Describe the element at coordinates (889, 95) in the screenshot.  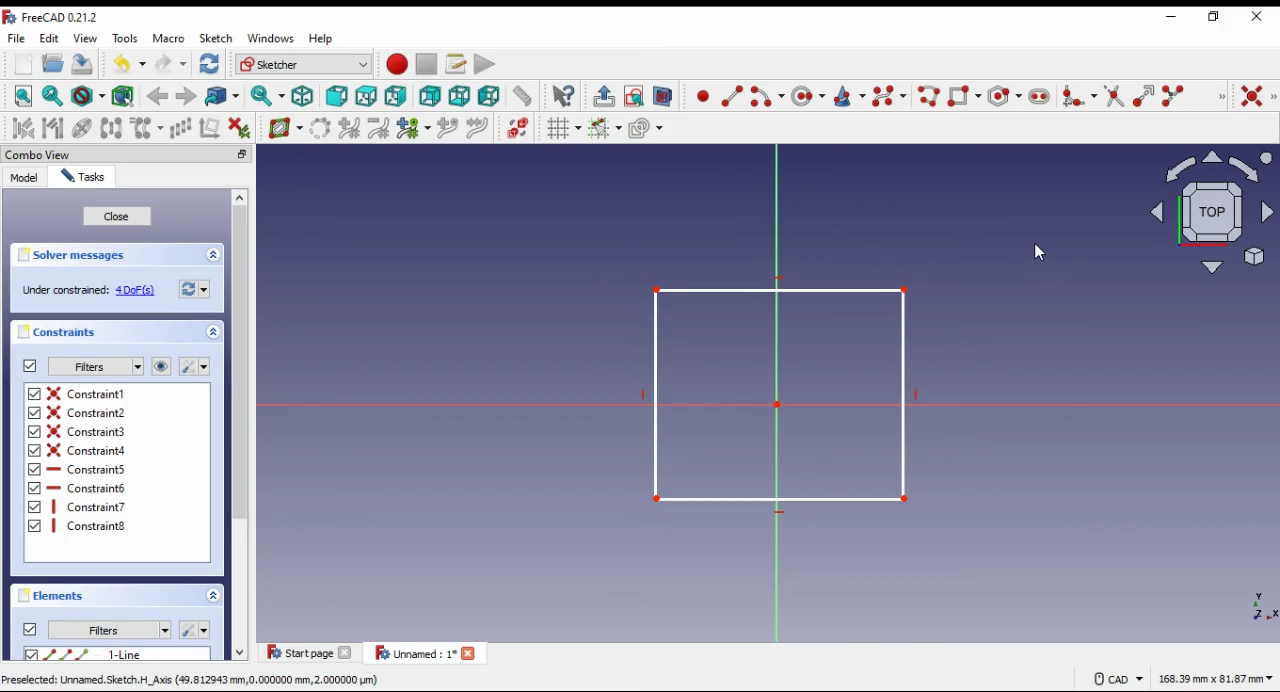
I see `create bspline` at that location.